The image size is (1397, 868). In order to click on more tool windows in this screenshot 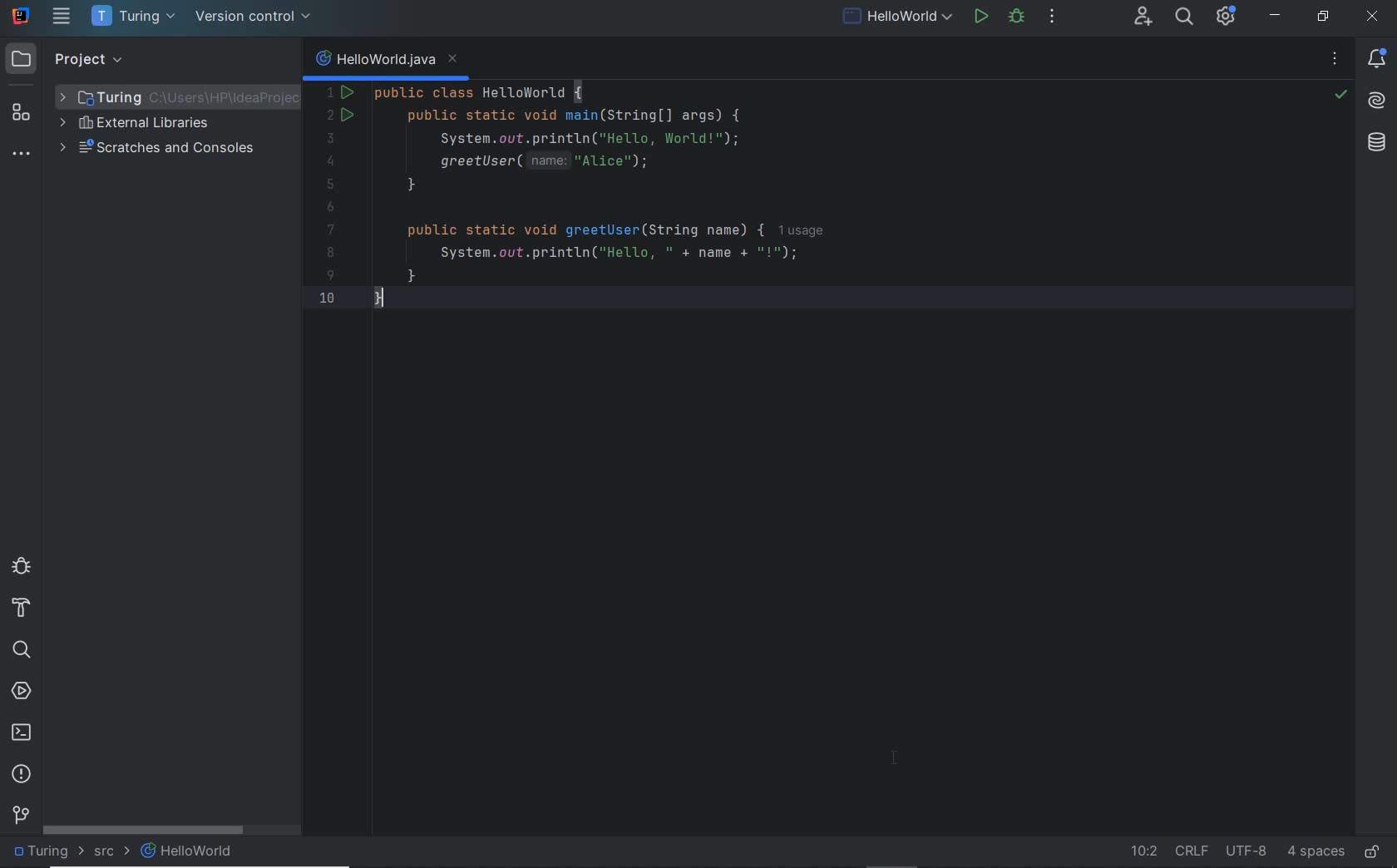, I will do `click(20, 155)`.